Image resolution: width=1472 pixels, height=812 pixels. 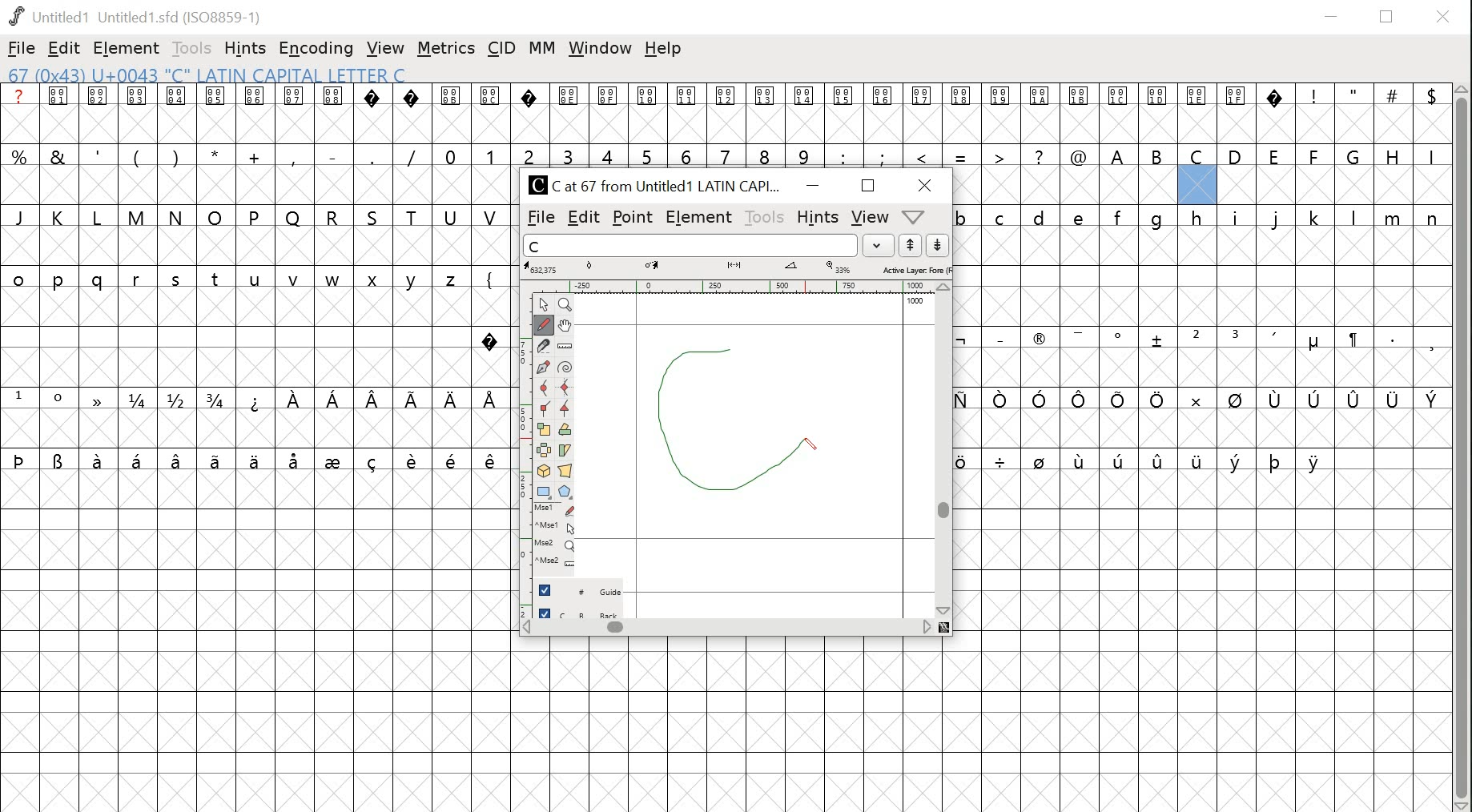 What do you see at coordinates (191, 50) in the screenshot?
I see `tools` at bounding box center [191, 50].